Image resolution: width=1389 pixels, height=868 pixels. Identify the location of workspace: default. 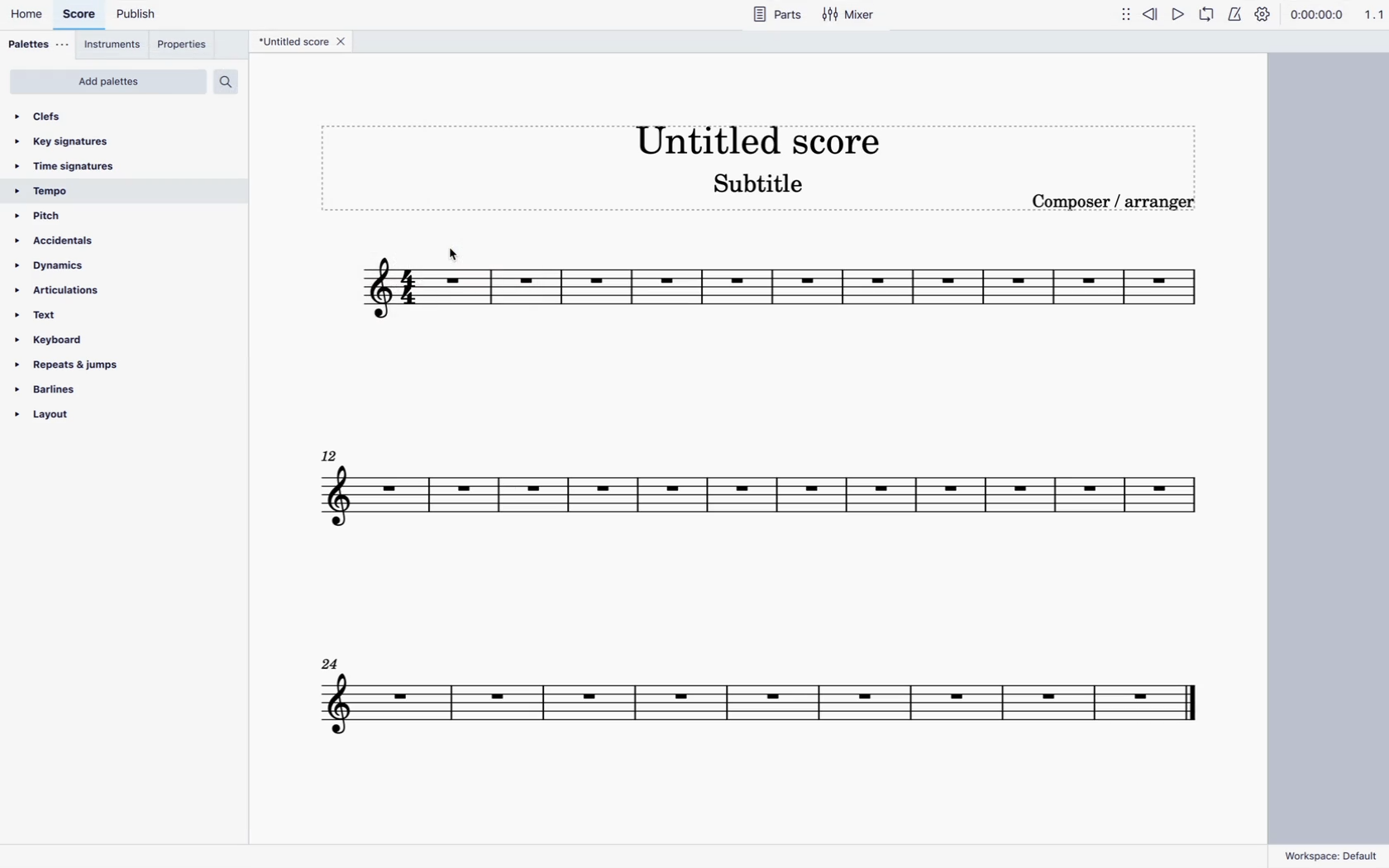
(1331, 851).